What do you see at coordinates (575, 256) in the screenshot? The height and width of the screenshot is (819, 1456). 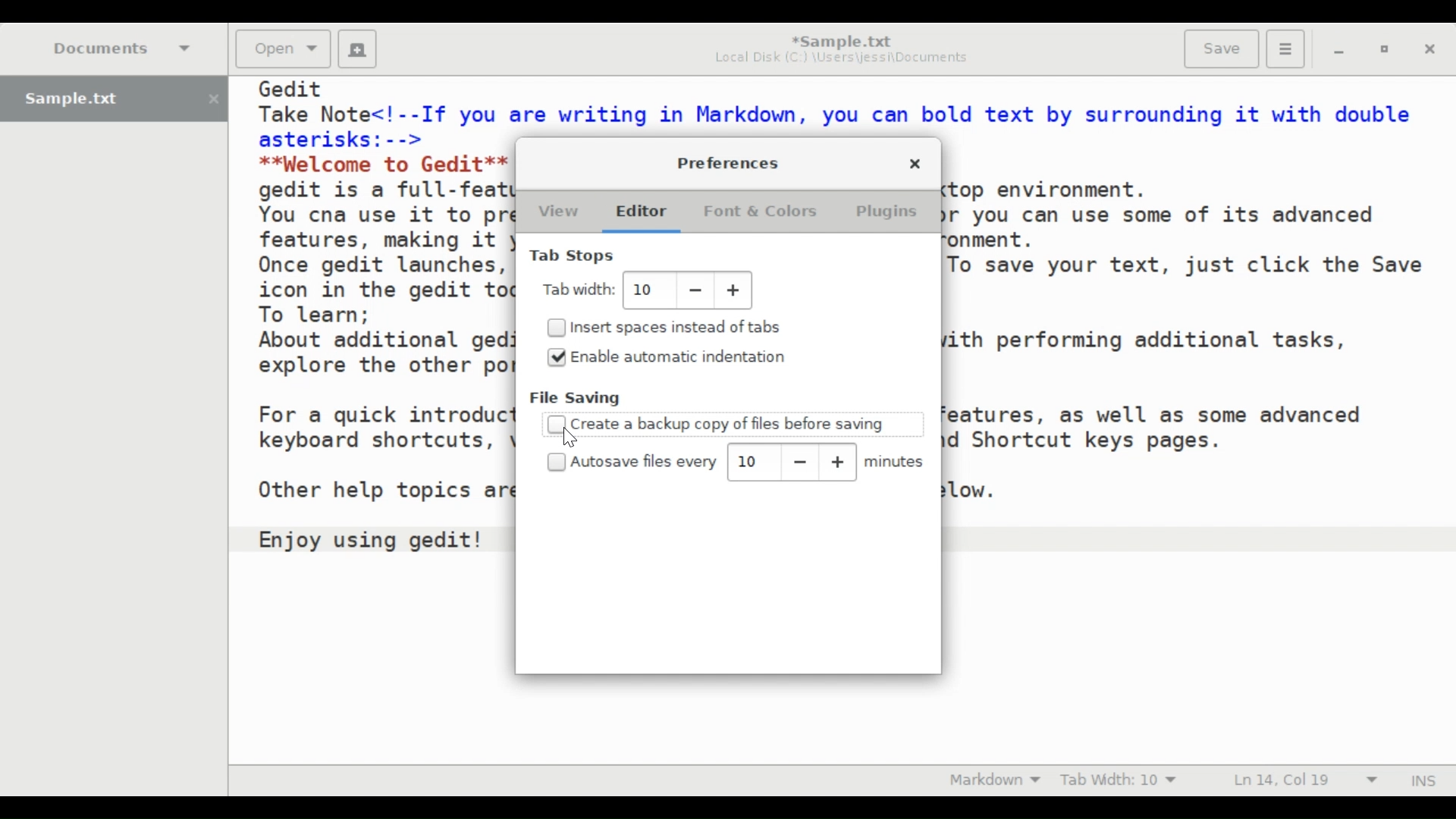 I see `Tab Stops` at bounding box center [575, 256].